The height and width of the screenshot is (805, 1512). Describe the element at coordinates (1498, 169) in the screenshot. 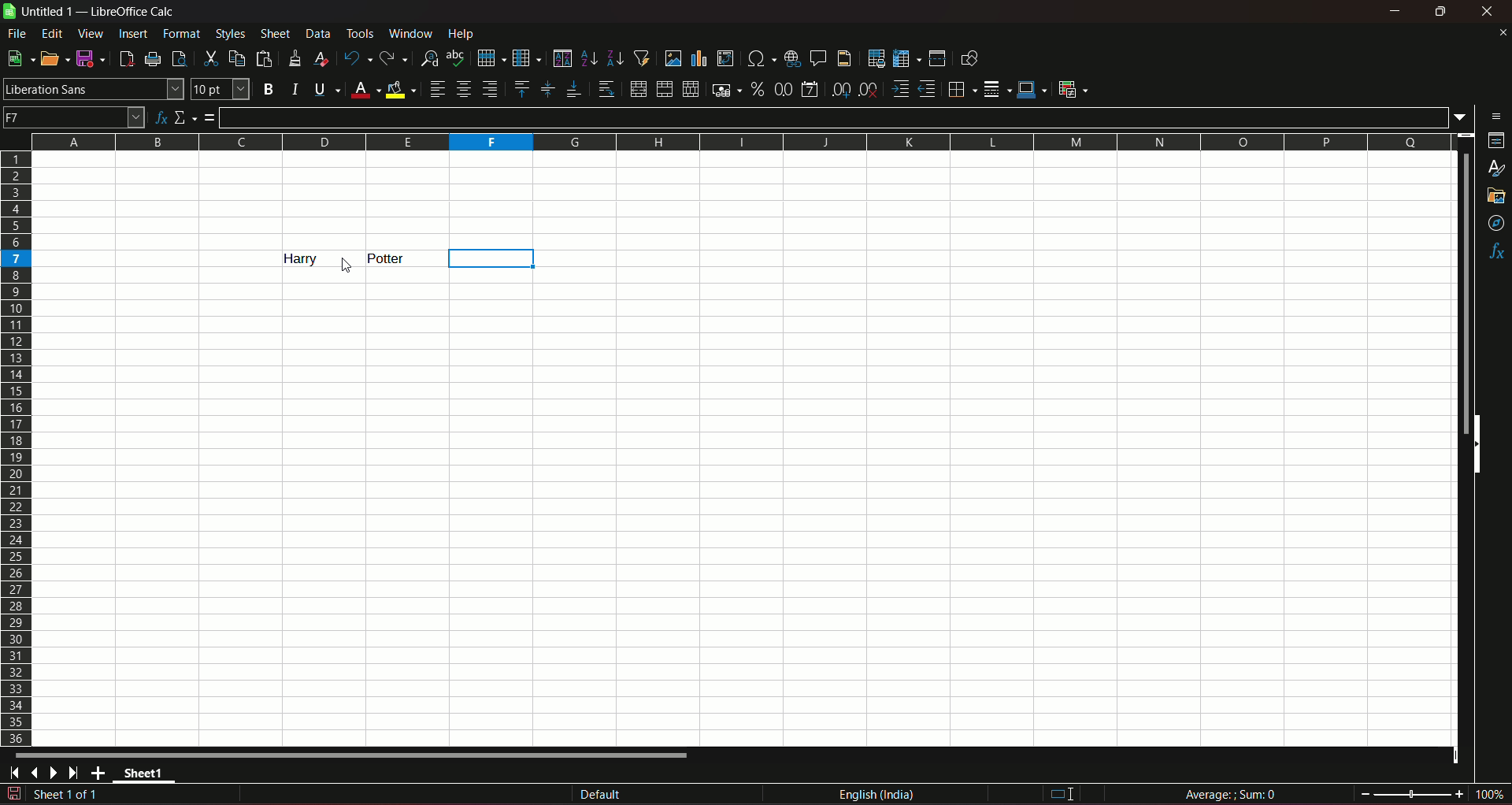

I see `styles` at that location.